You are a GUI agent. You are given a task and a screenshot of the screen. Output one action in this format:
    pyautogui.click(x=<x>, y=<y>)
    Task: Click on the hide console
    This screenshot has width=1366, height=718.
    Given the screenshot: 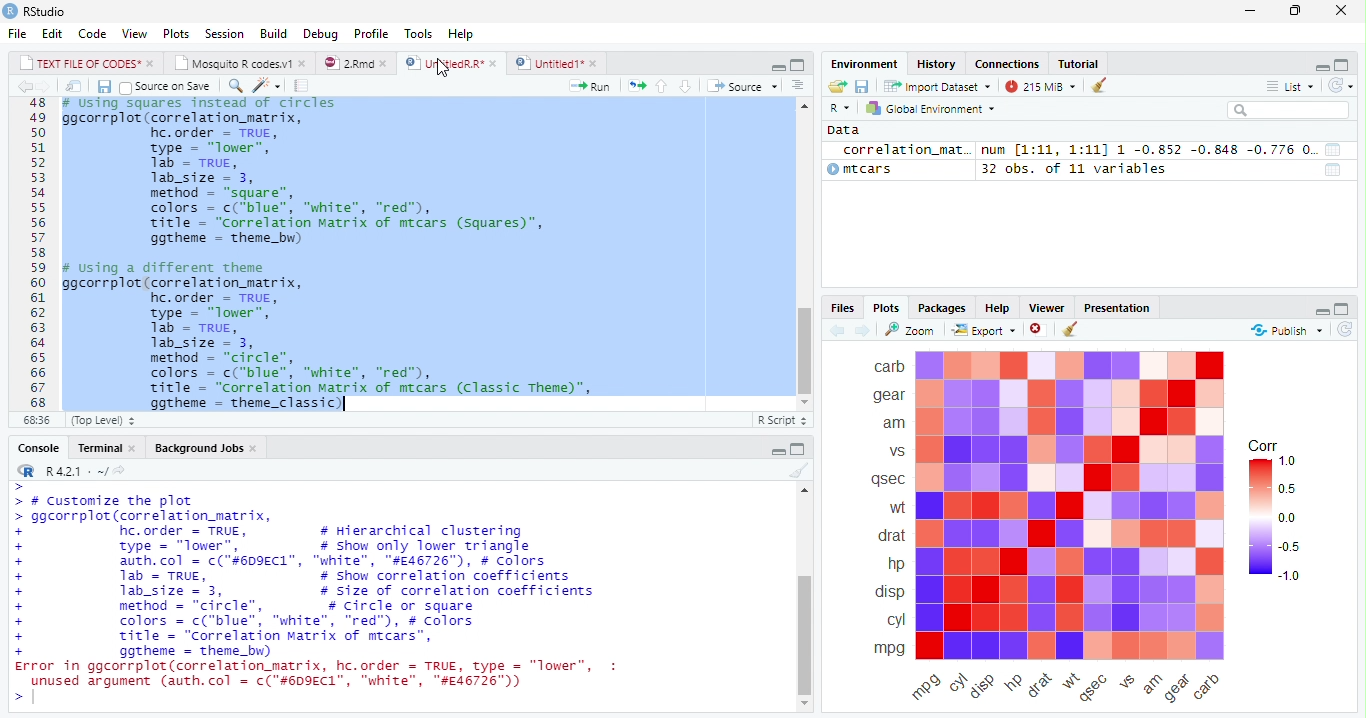 What is the action you would take?
    pyautogui.click(x=1346, y=65)
    